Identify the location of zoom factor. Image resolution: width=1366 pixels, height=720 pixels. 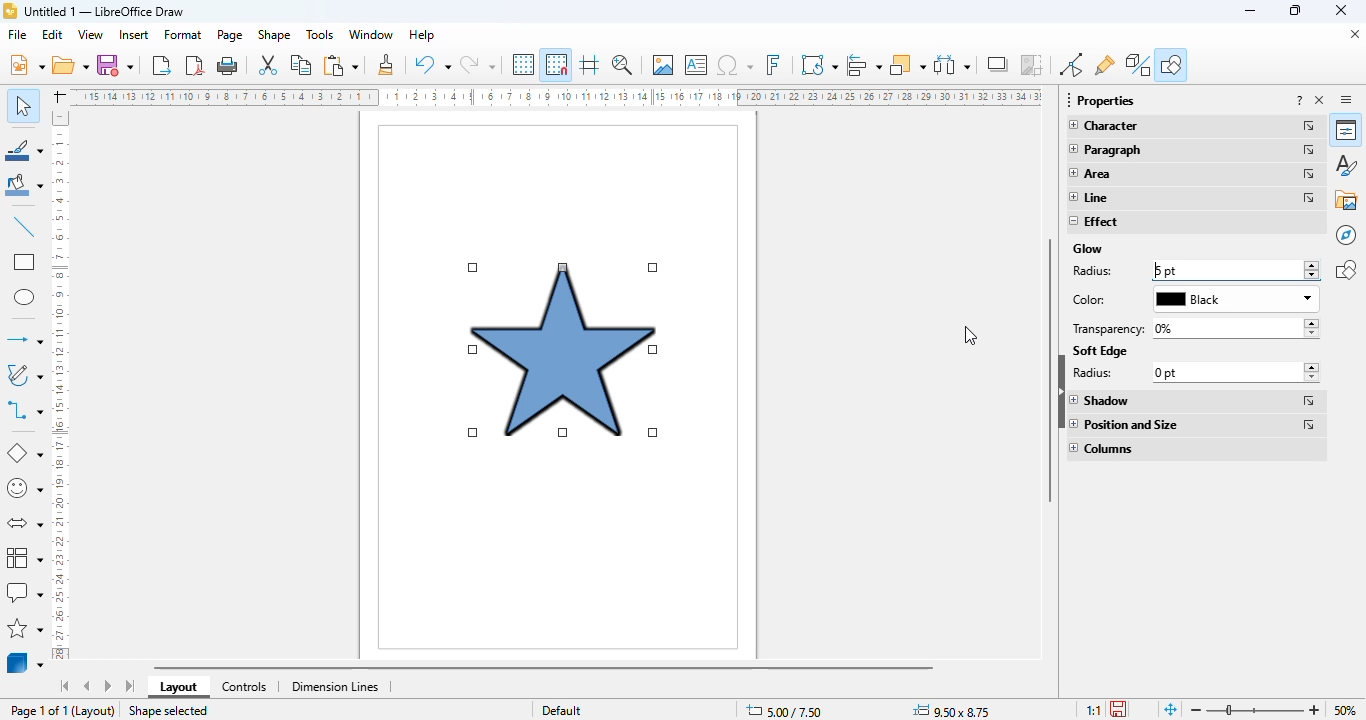
(1344, 708).